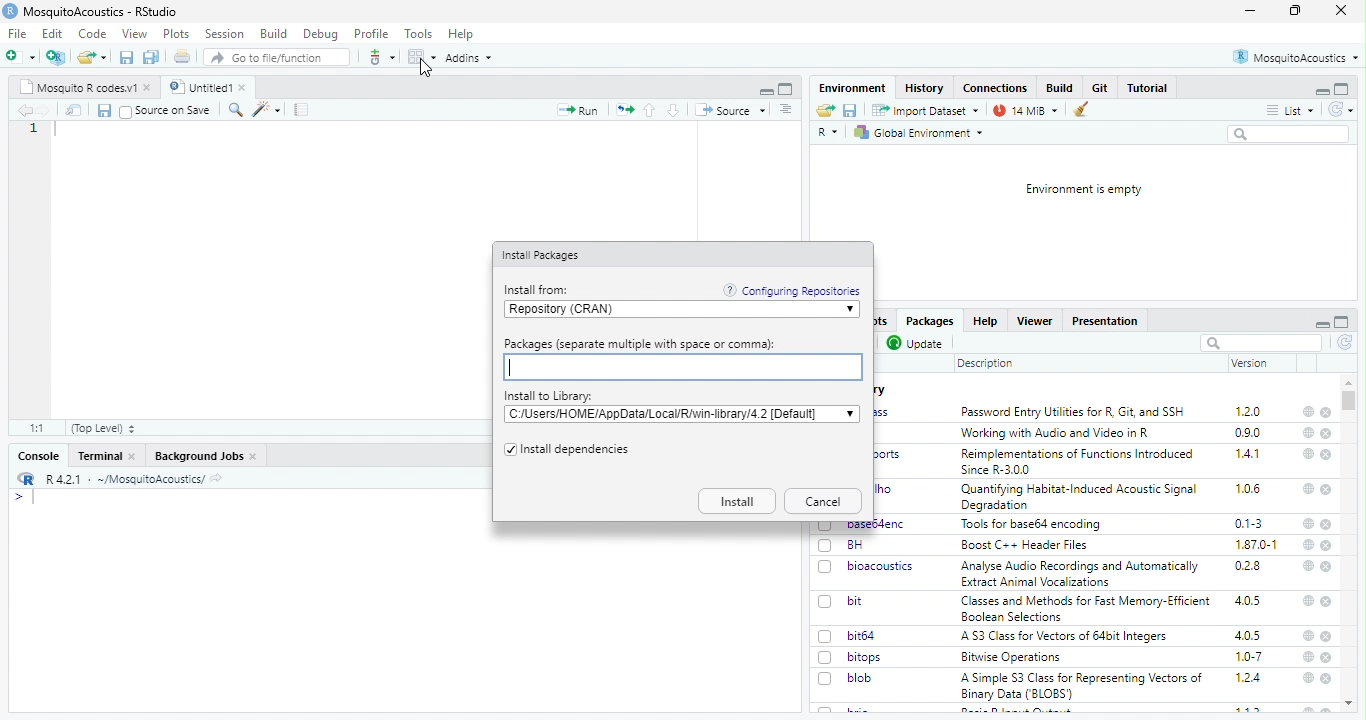  I want to click on Repository (CRAN), so click(674, 310).